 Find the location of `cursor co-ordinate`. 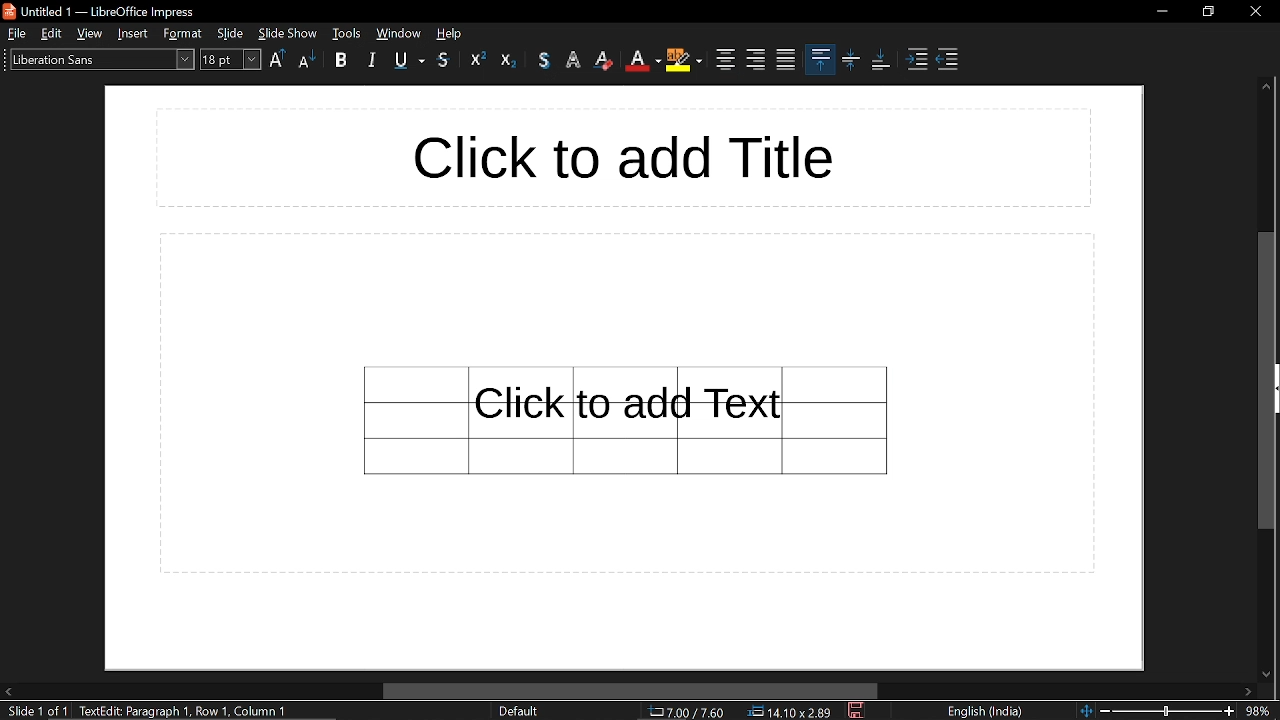

cursor co-ordinate is located at coordinates (686, 712).